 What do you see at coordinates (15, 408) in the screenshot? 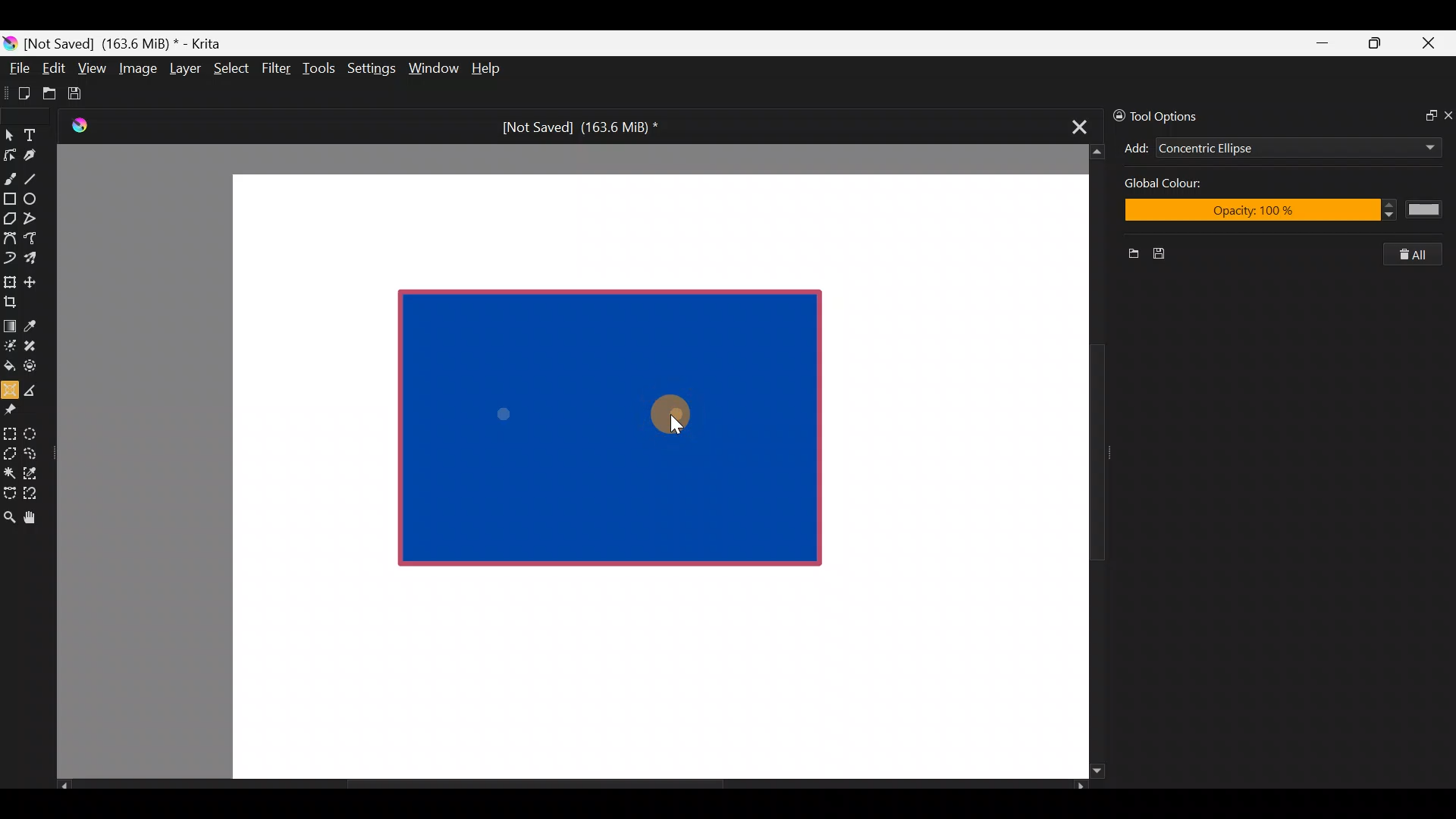
I see `Reference images tool` at bounding box center [15, 408].